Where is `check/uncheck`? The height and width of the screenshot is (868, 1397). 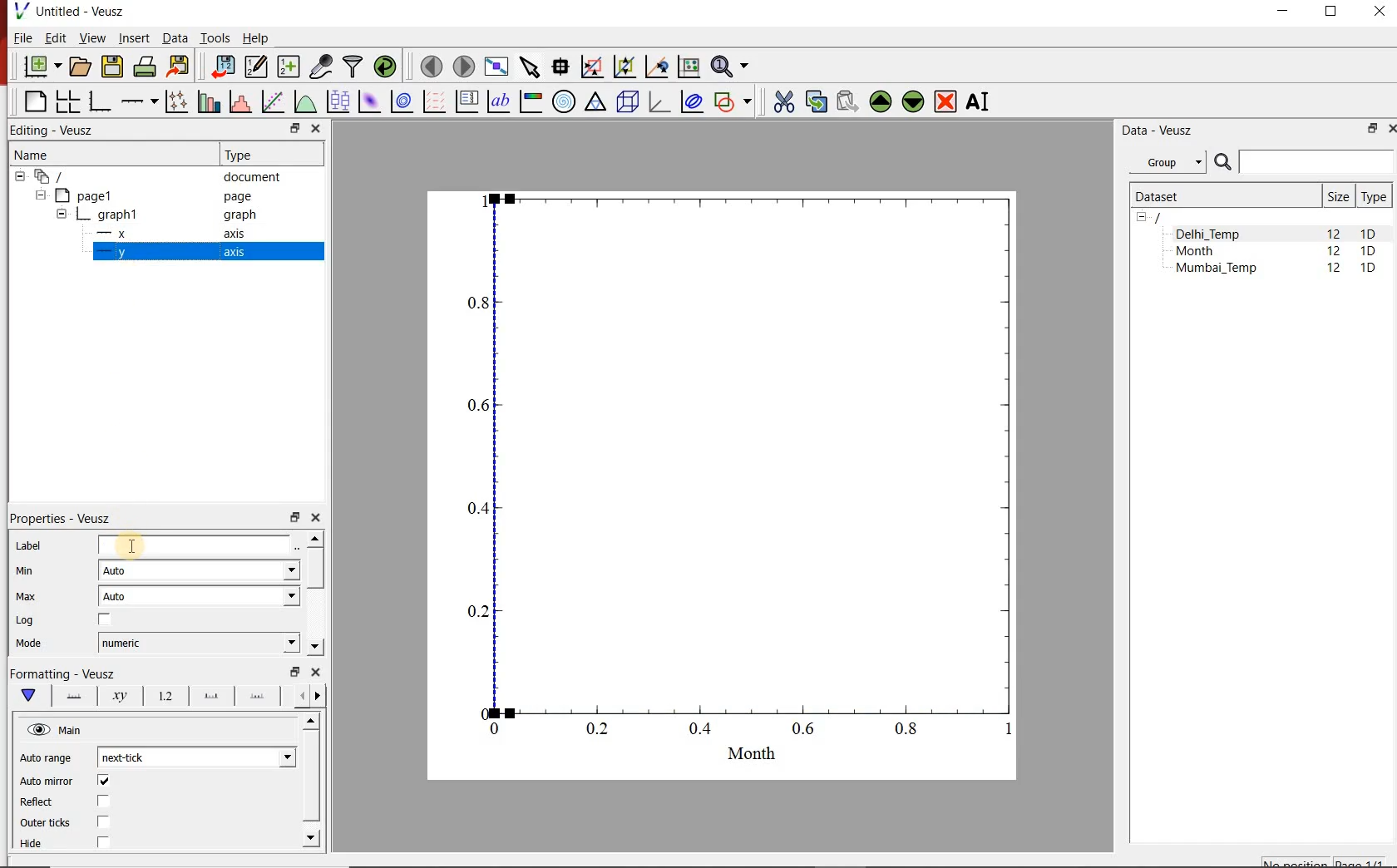 check/uncheck is located at coordinates (105, 620).